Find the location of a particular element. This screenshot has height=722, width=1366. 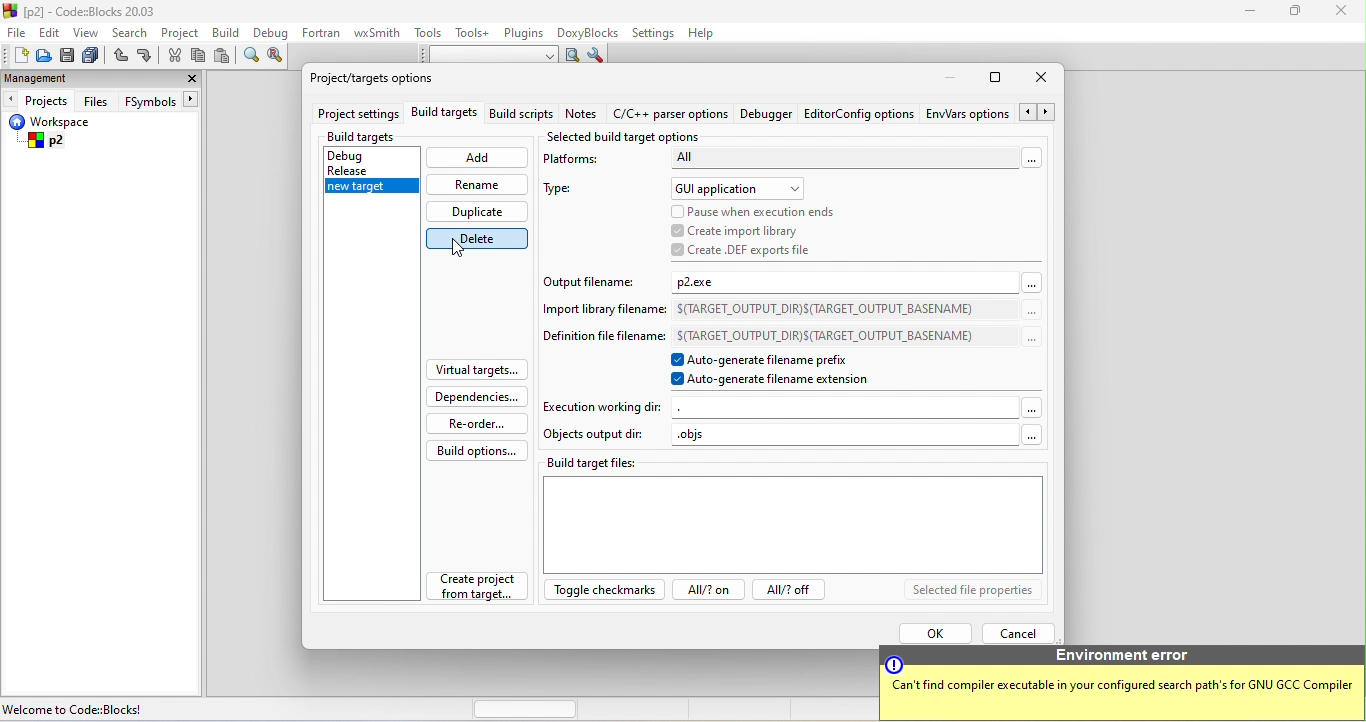

auto generate filename extension is located at coordinates (781, 382).